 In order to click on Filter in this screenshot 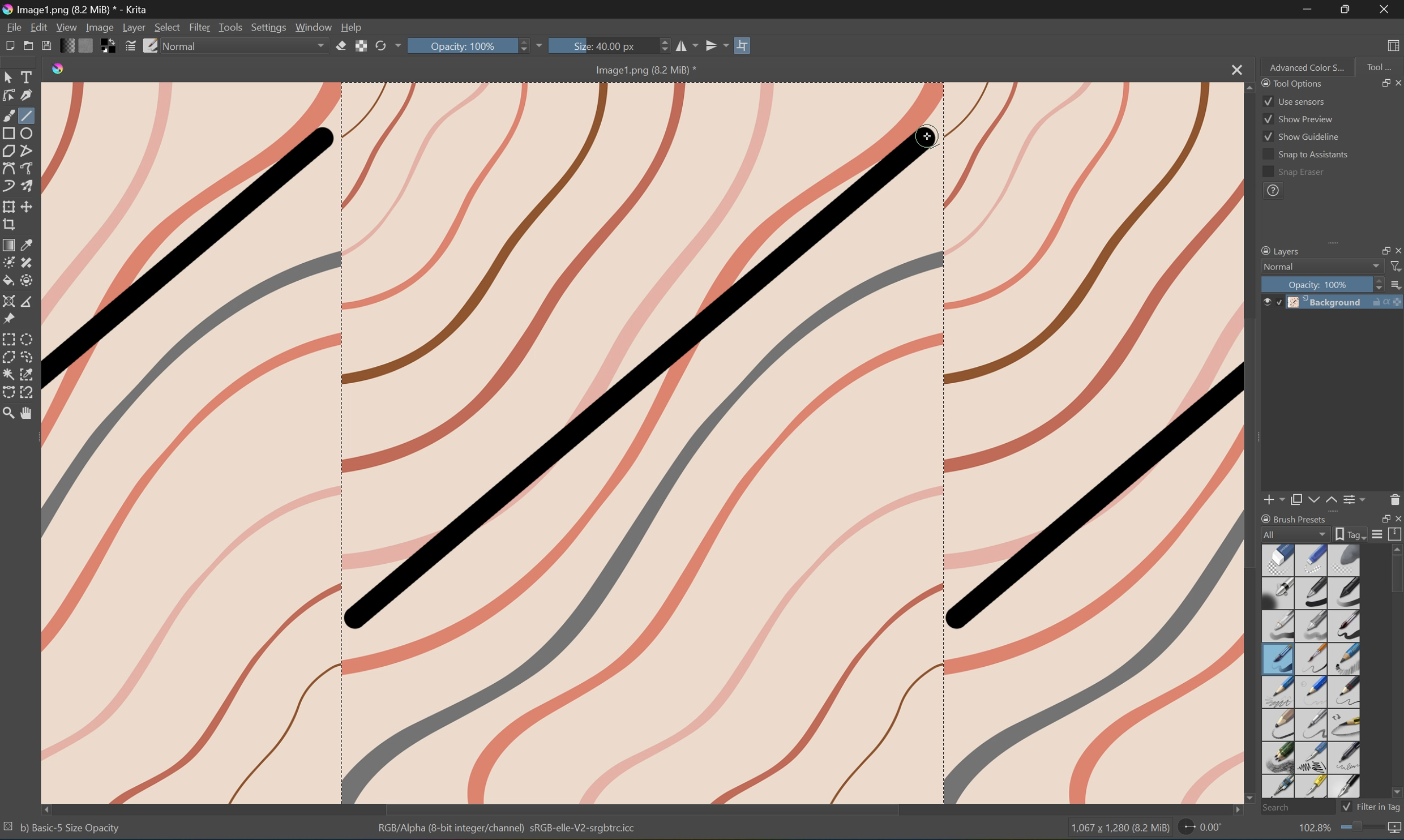, I will do `click(1396, 267)`.